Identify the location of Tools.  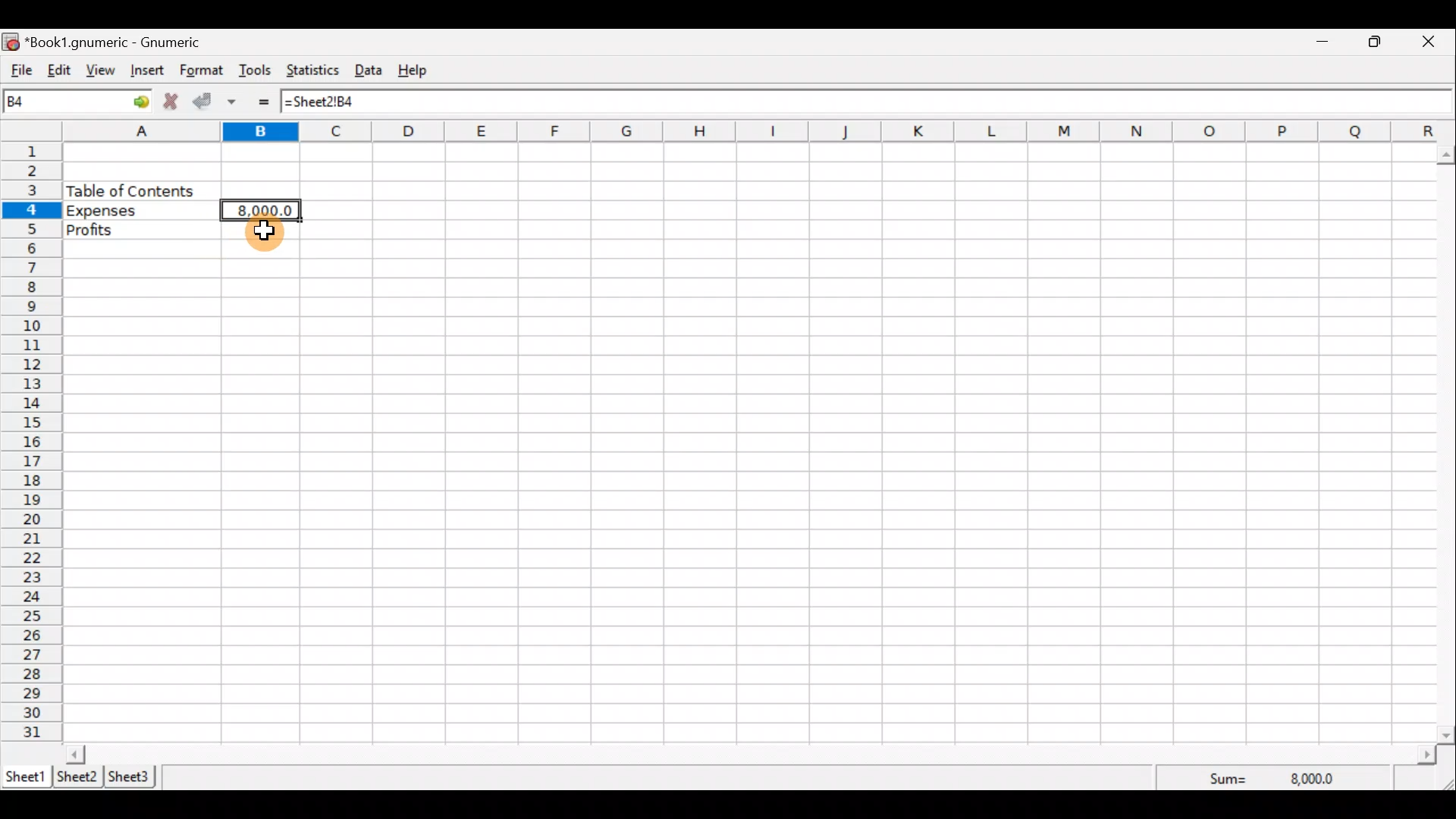
(256, 71).